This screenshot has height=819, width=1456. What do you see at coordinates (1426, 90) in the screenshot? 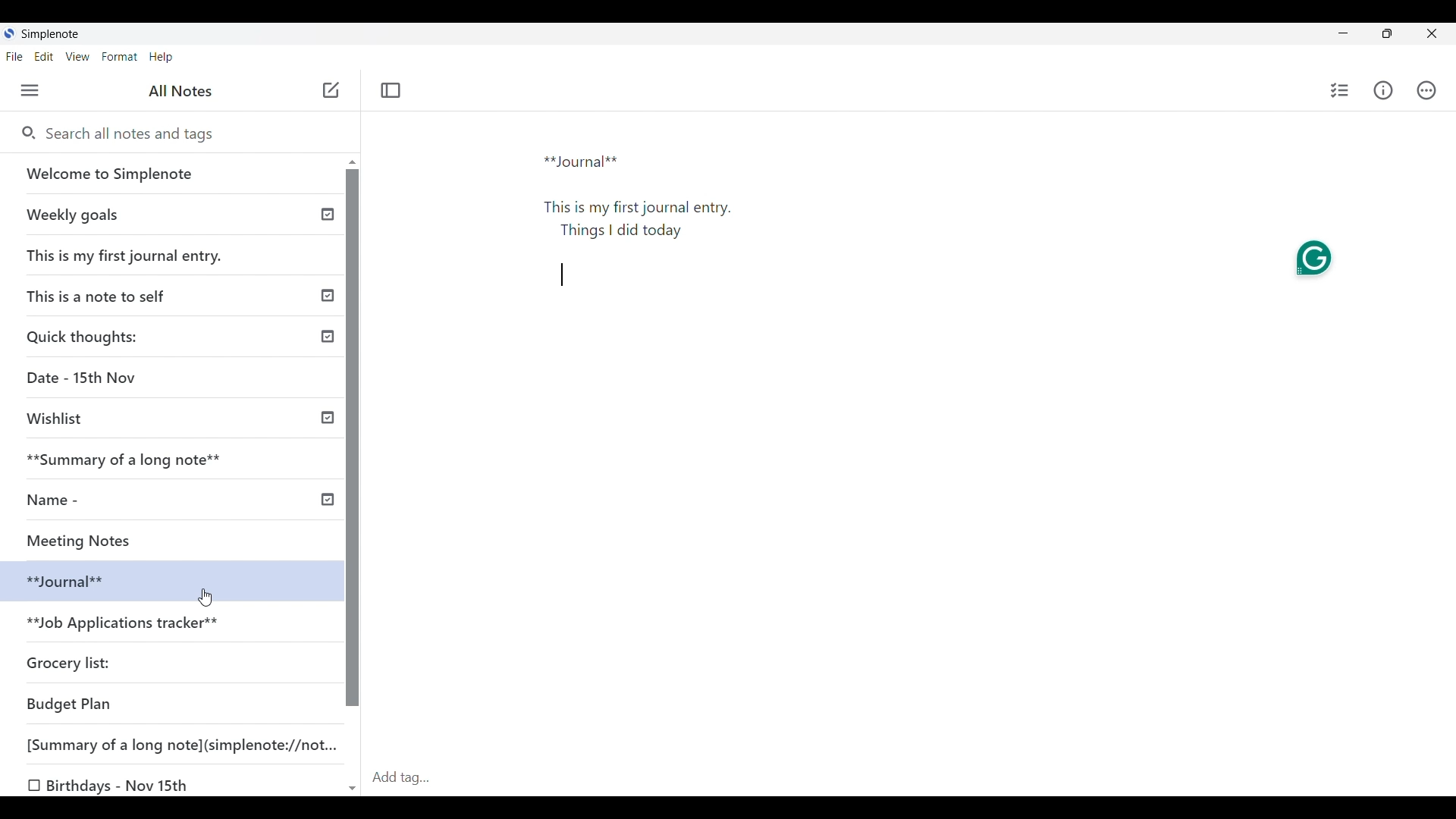
I see `Actions` at bounding box center [1426, 90].